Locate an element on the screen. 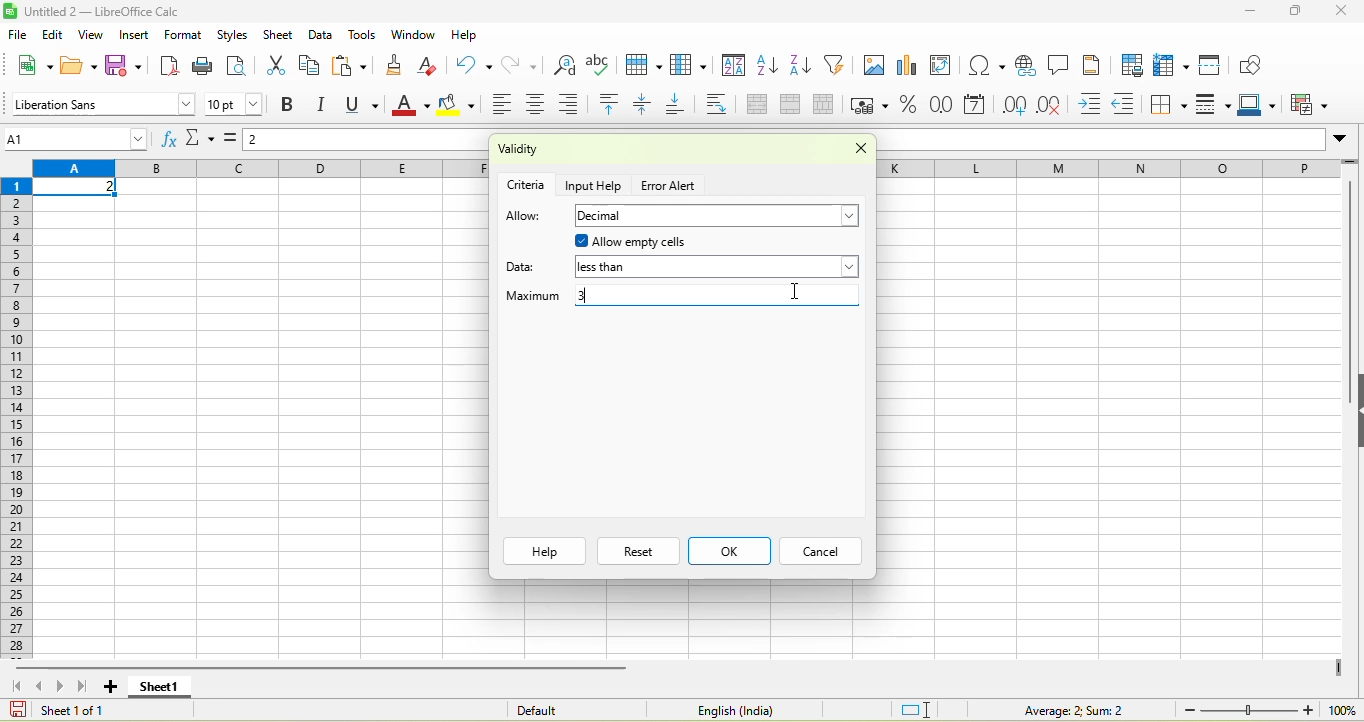 The height and width of the screenshot is (722, 1364). image is located at coordinates (873, 67).